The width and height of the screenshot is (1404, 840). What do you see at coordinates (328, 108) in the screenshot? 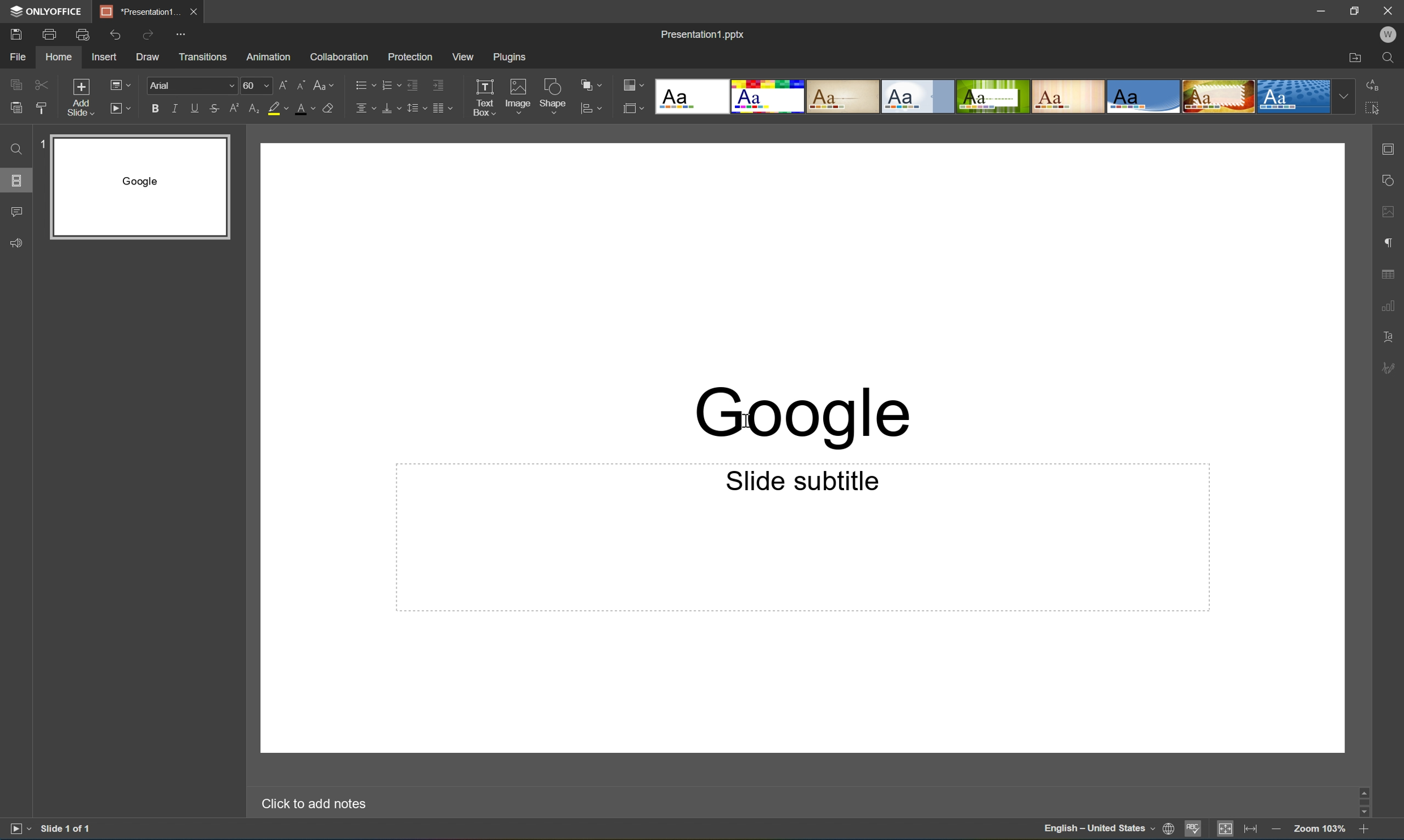
I see `Clear style` at bounding box center [328, 108].